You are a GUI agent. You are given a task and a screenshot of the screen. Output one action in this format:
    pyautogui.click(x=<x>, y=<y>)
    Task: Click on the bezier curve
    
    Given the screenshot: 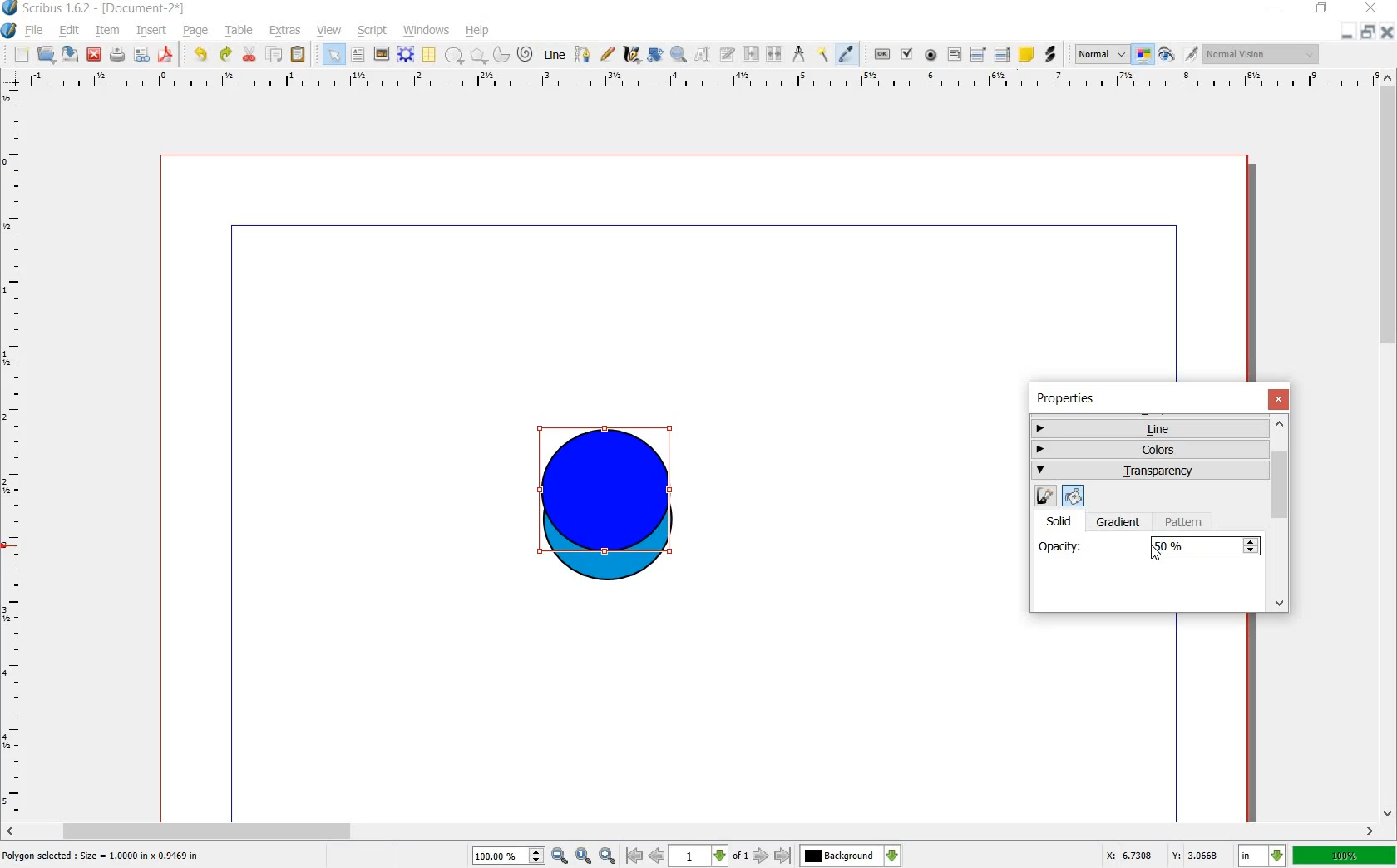 What is the action you would take?
    pyautogui.click(x=583, y=55)
    